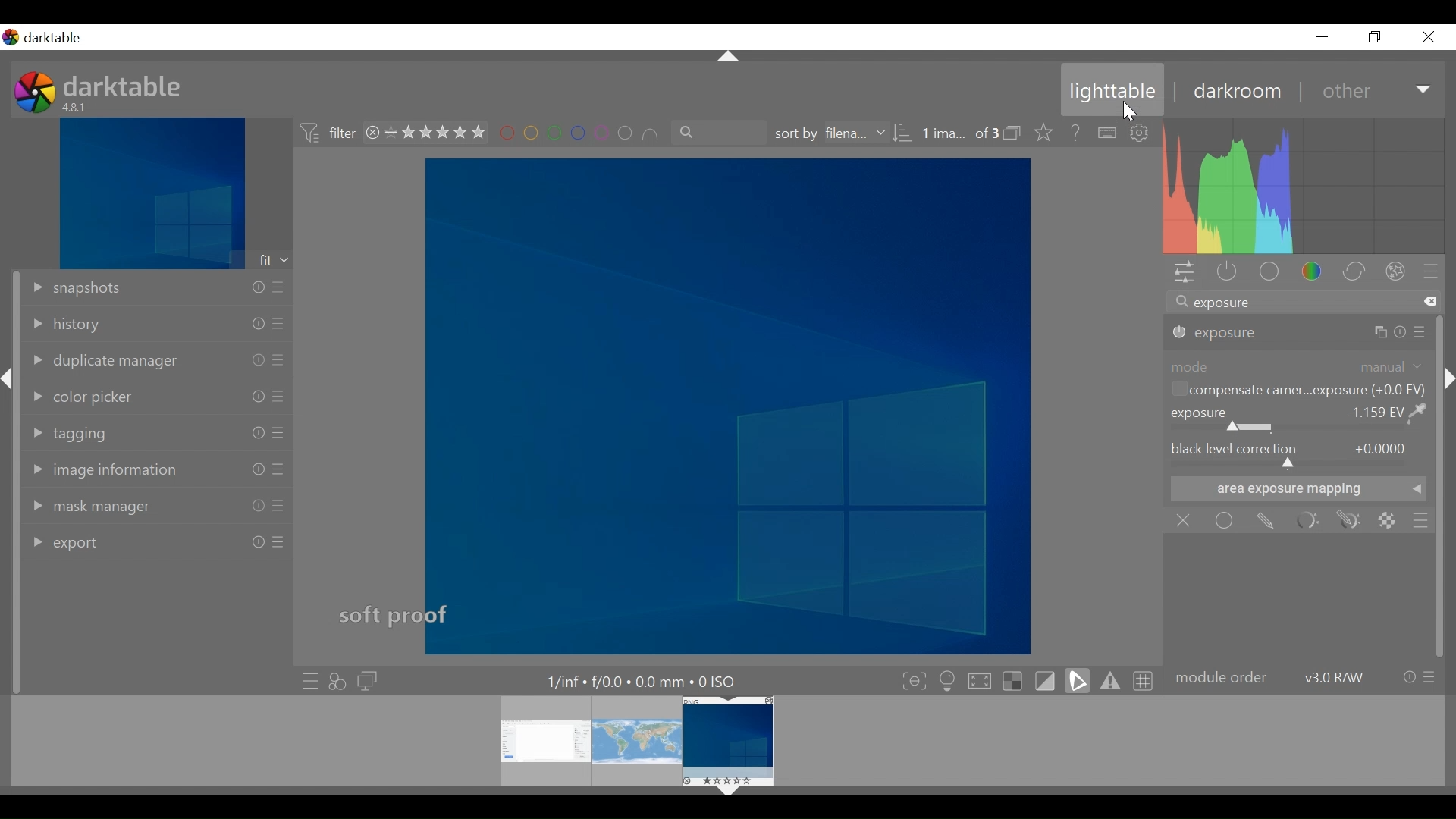 The width and height of the screenshot is (1456, 819). I want to click on base, so click(1268, 272).